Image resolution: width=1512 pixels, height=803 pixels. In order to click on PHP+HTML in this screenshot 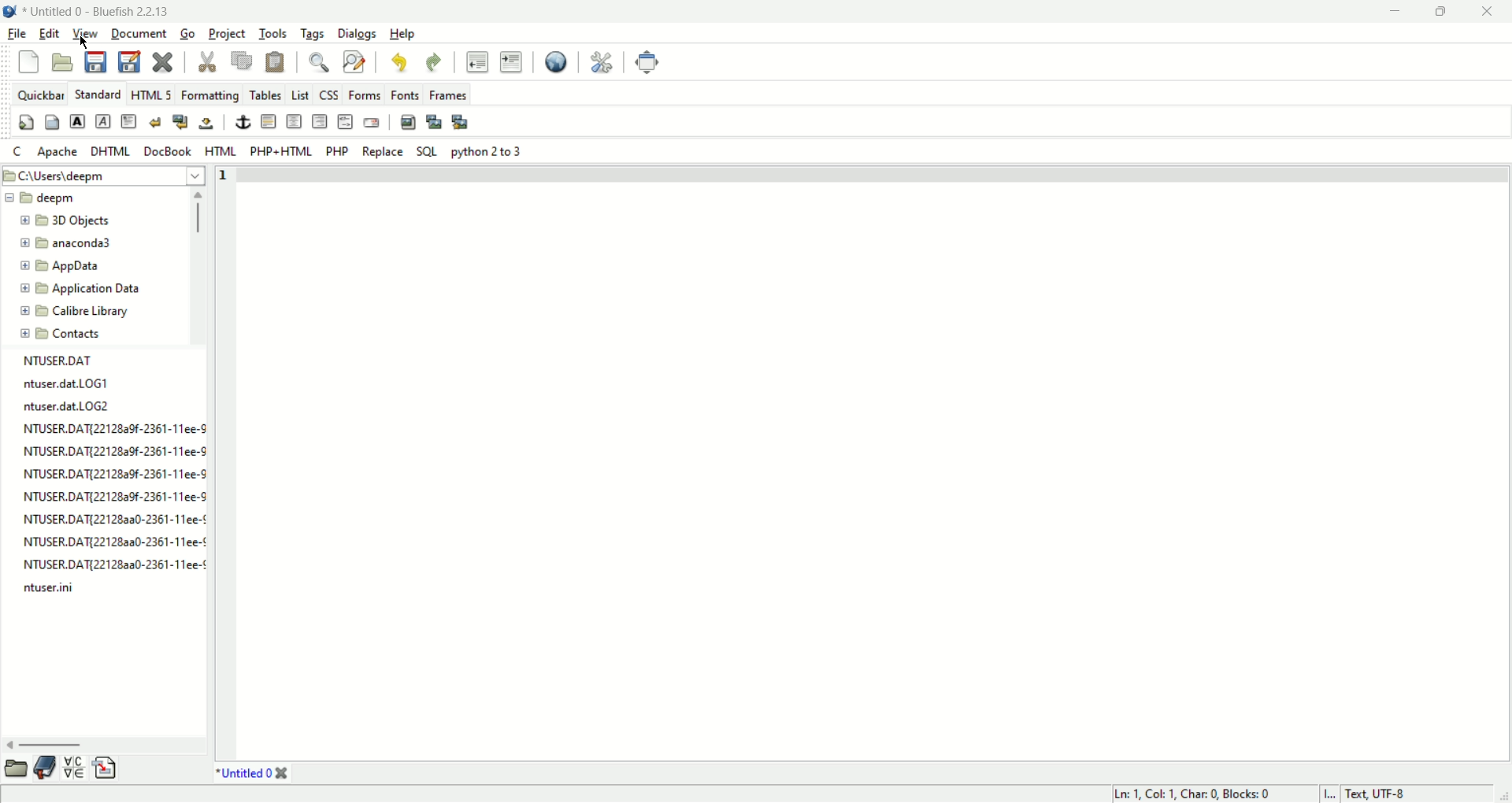, I will do `click(280, 151)`.